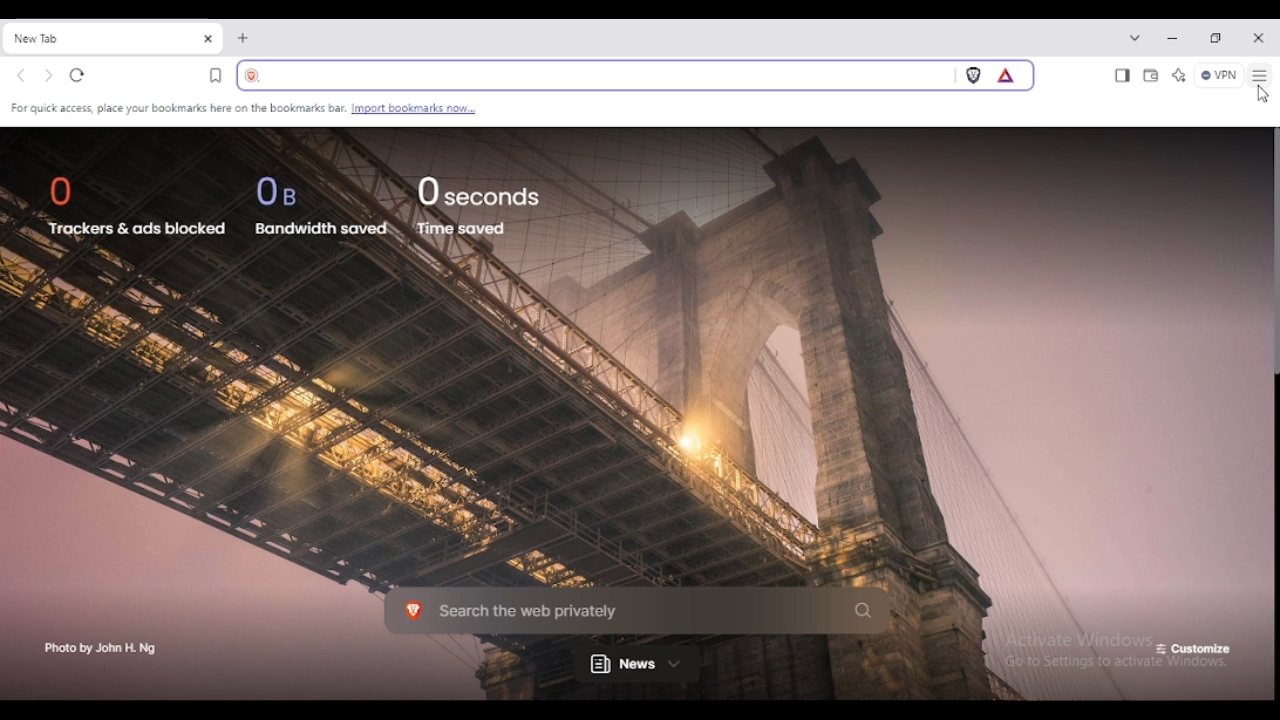 The height and width of the screenshot is (720, 1280). Describe the element at coordinates (1151, 77) in the screenshot. I see `wallet` at that location.